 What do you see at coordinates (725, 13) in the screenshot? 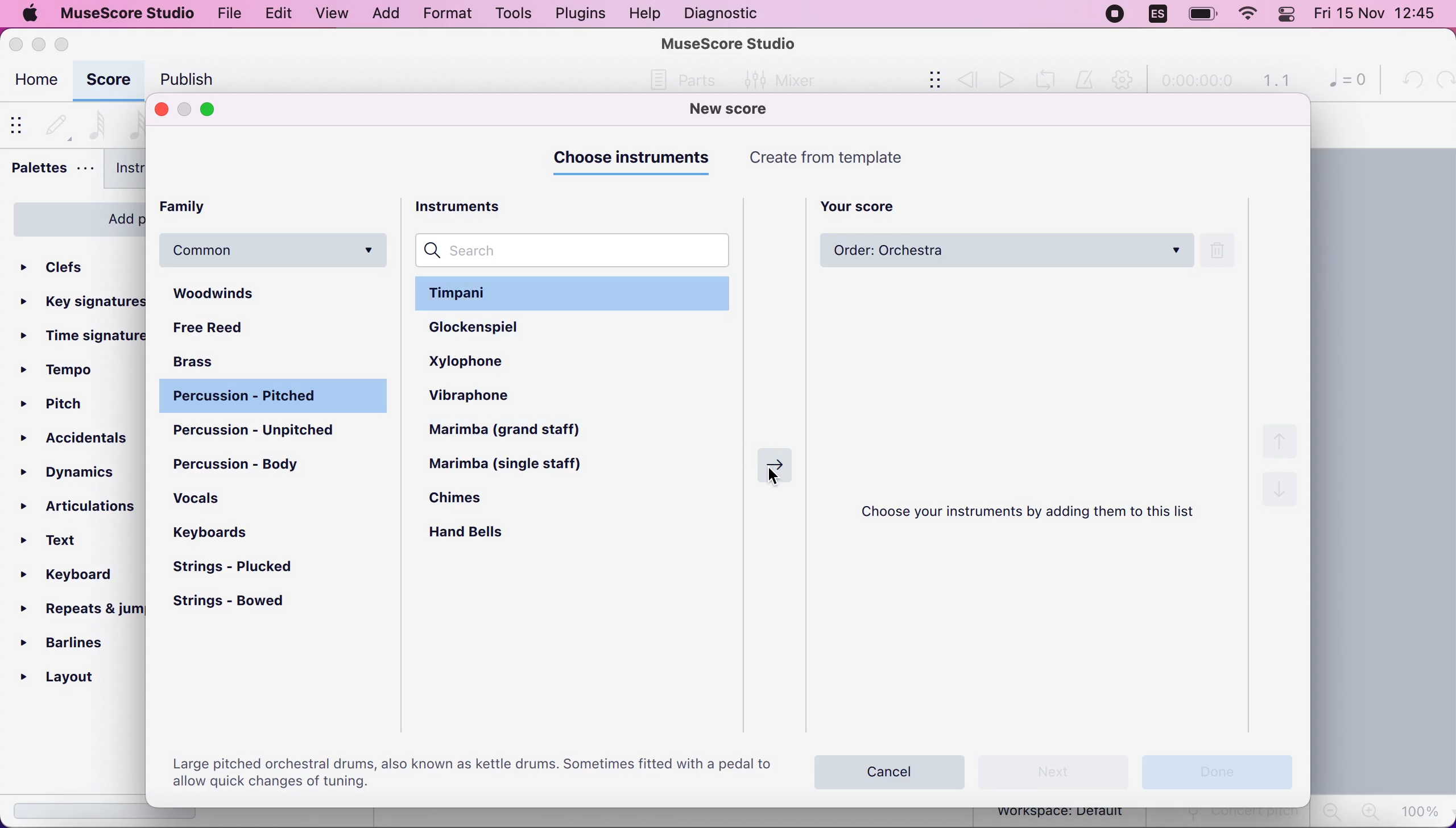
I see `diagnostic` at bounding box center [725, 13].